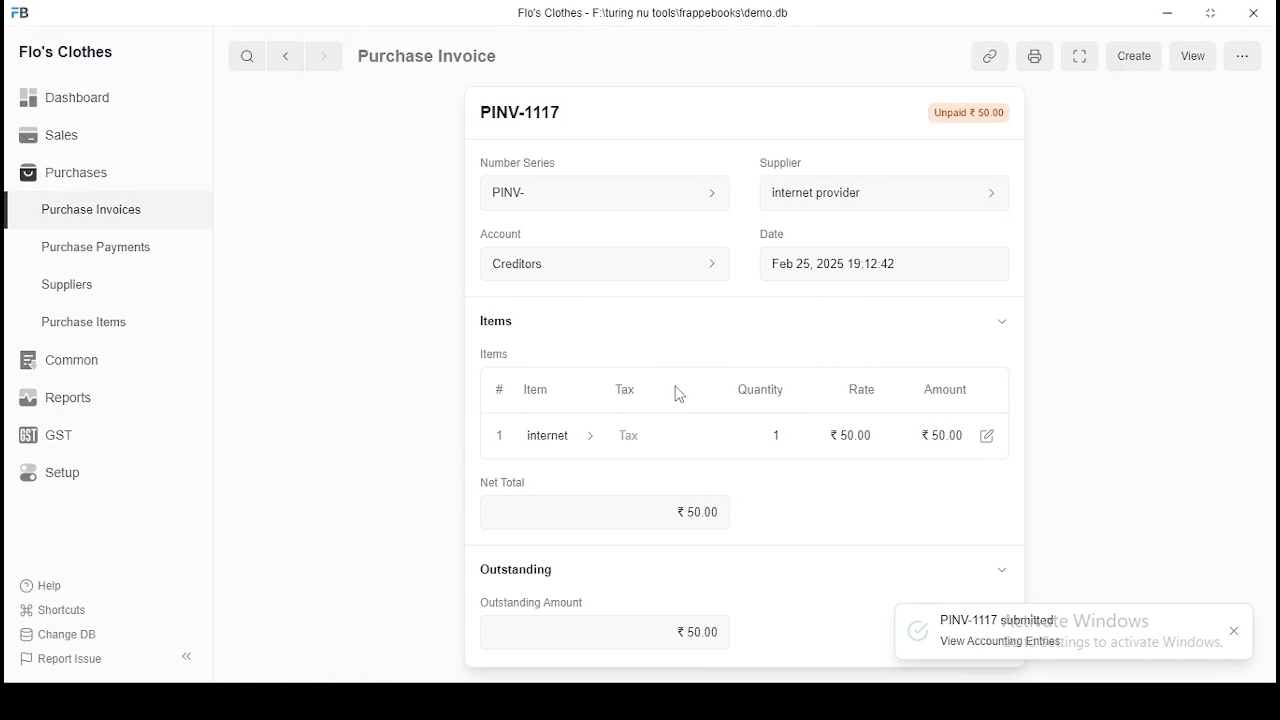 This screenshot has width=1280, height=720. I want to click on more, so click(1247, 57).